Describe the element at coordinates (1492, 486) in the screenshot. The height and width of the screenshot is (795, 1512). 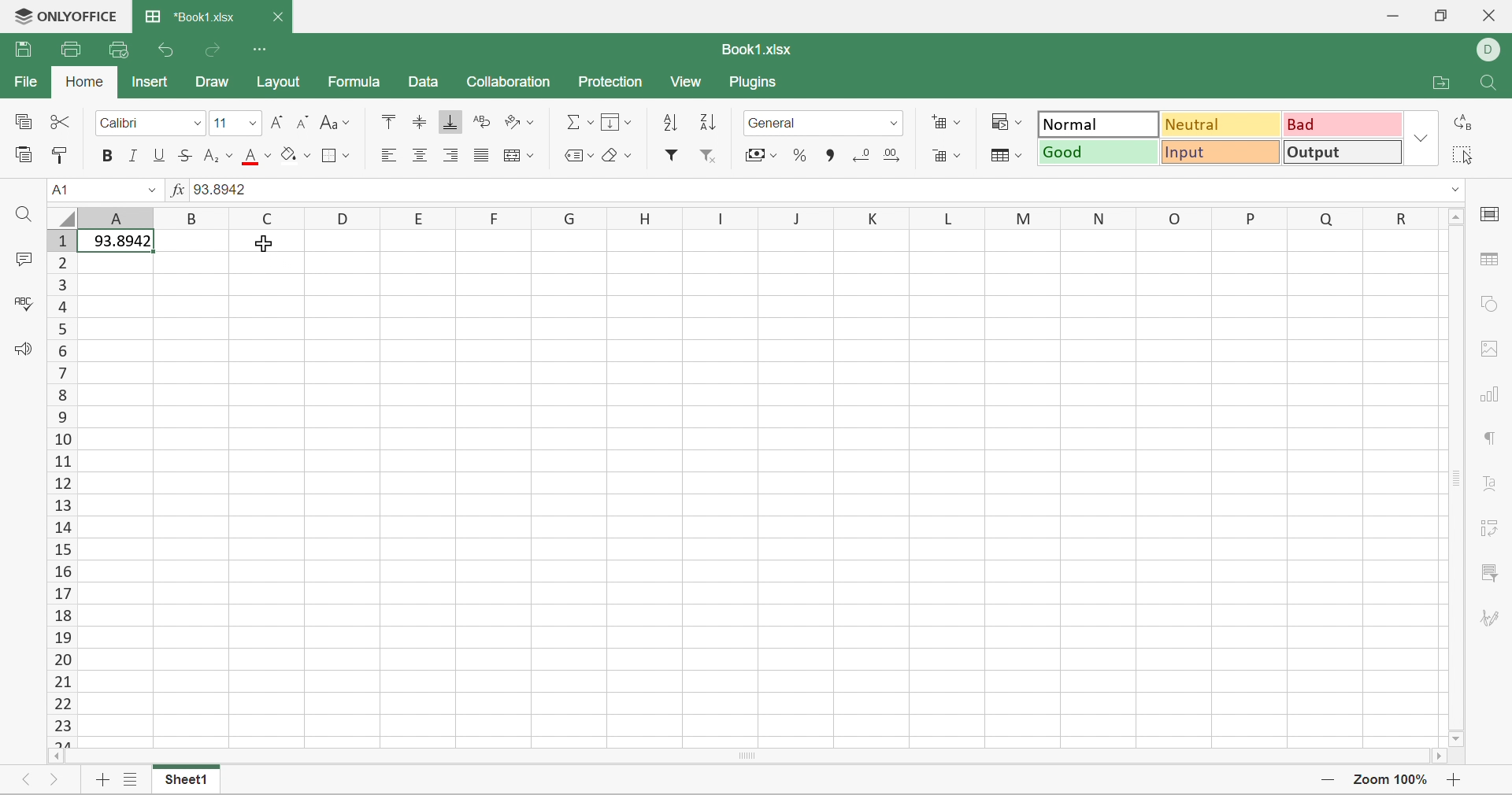
I see `Text Art settings` at that location.